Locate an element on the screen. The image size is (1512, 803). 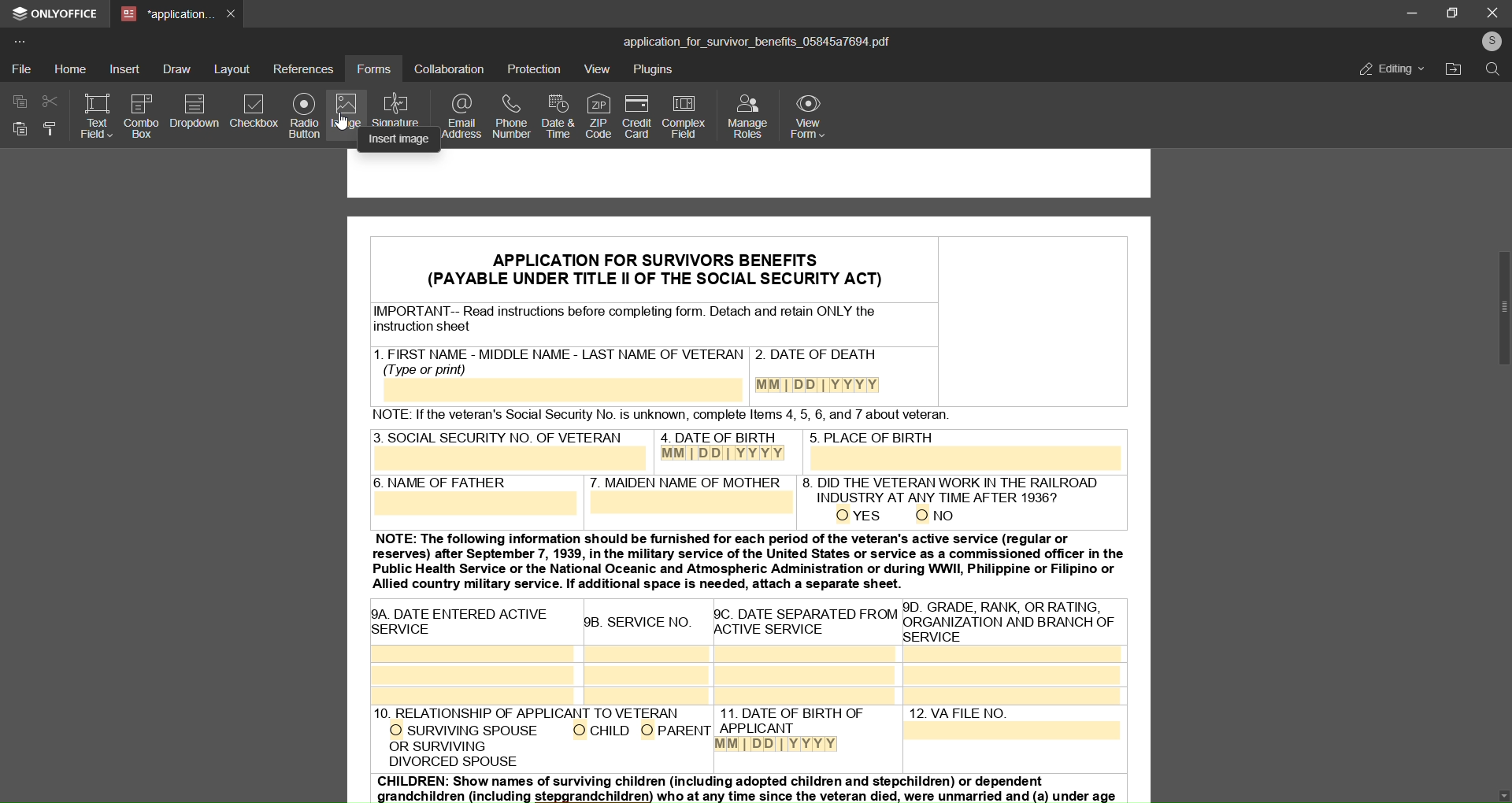
down is located at coordinates (1504, 794).